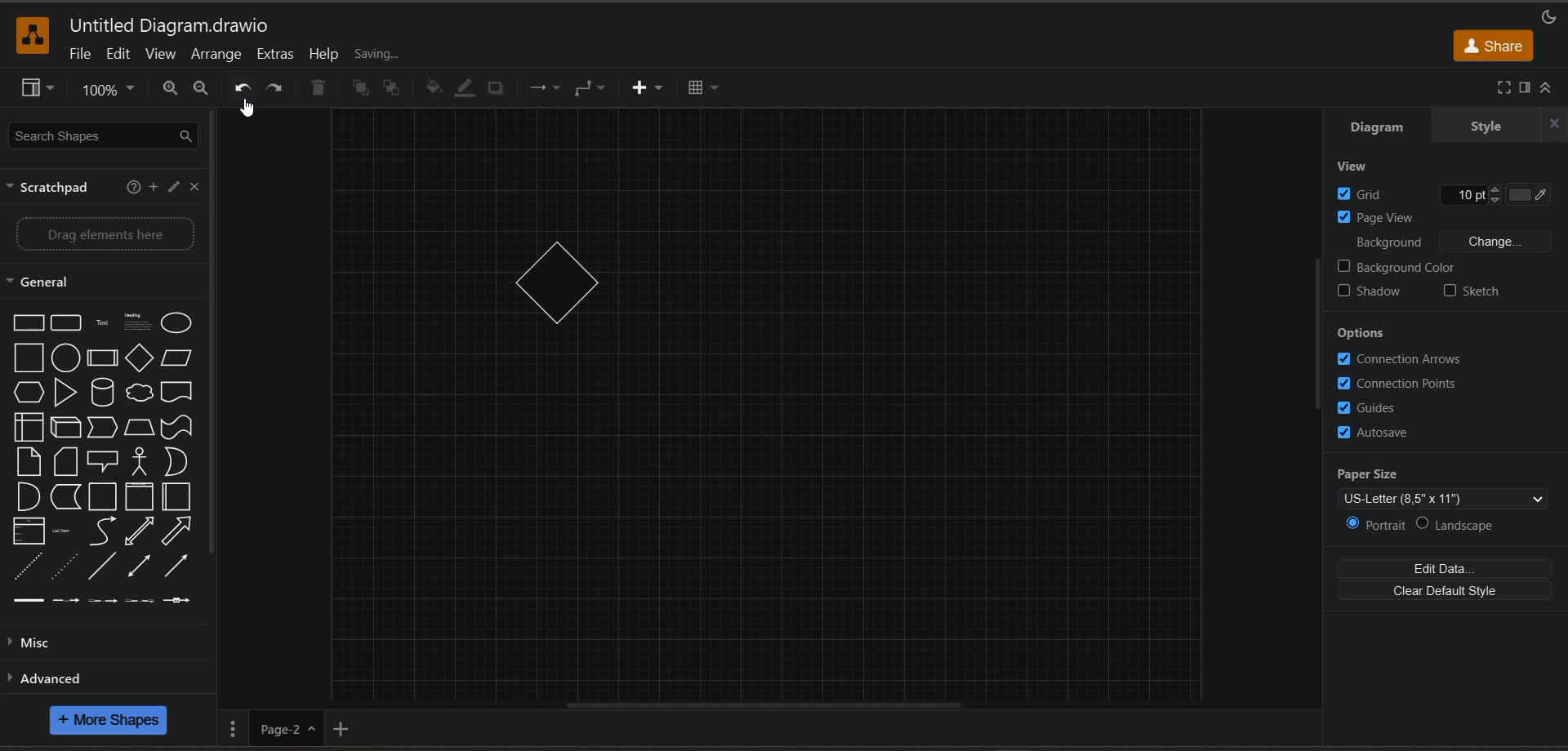 The height and width of the screenshot is (751, 1568). Describe the element at coordinates (247, 110) in the screenshot. I see `Cursor Position AFTER_LAST_ACTION` at that location.